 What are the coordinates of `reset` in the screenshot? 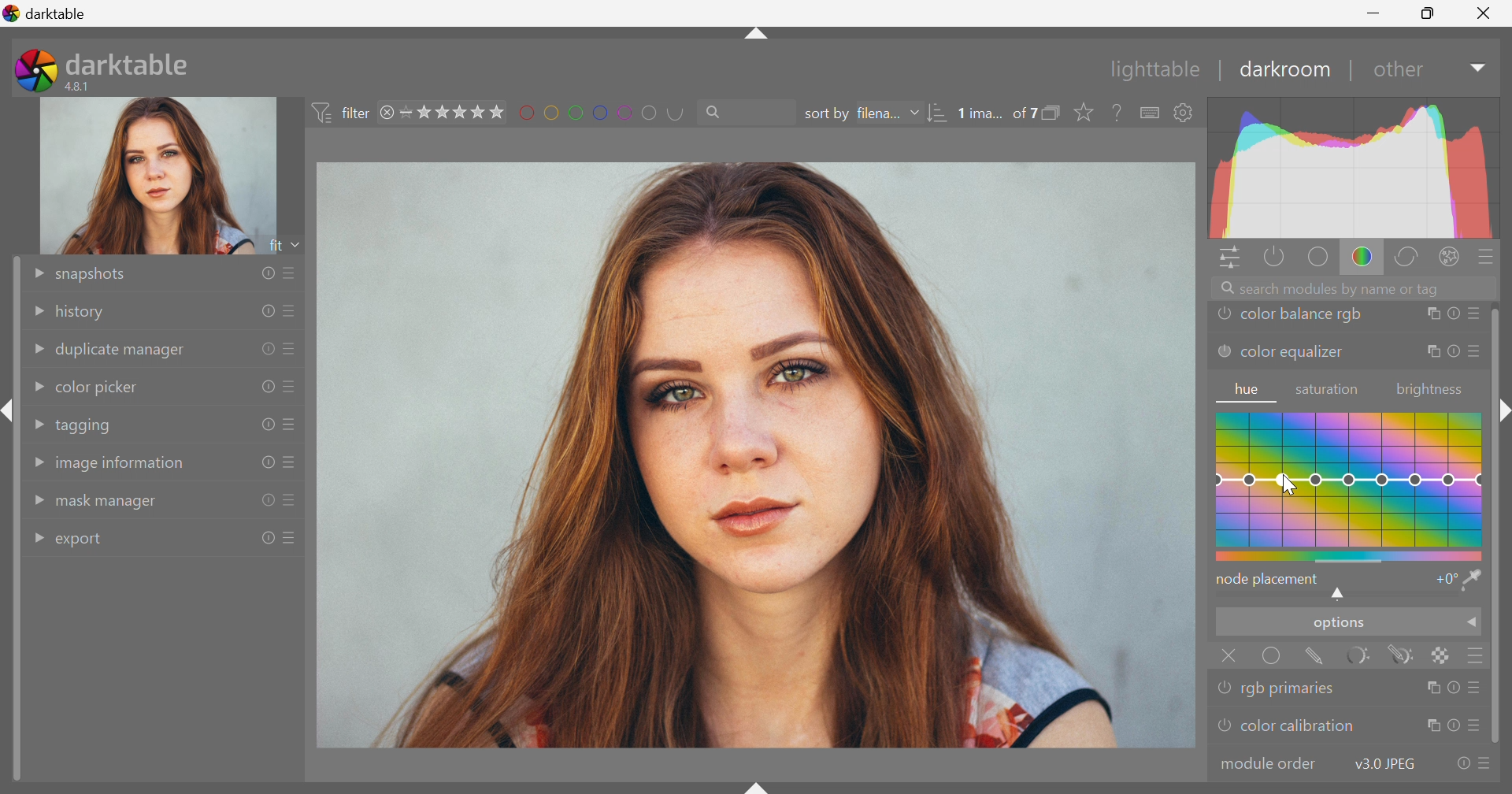 It's located at (265, 347).